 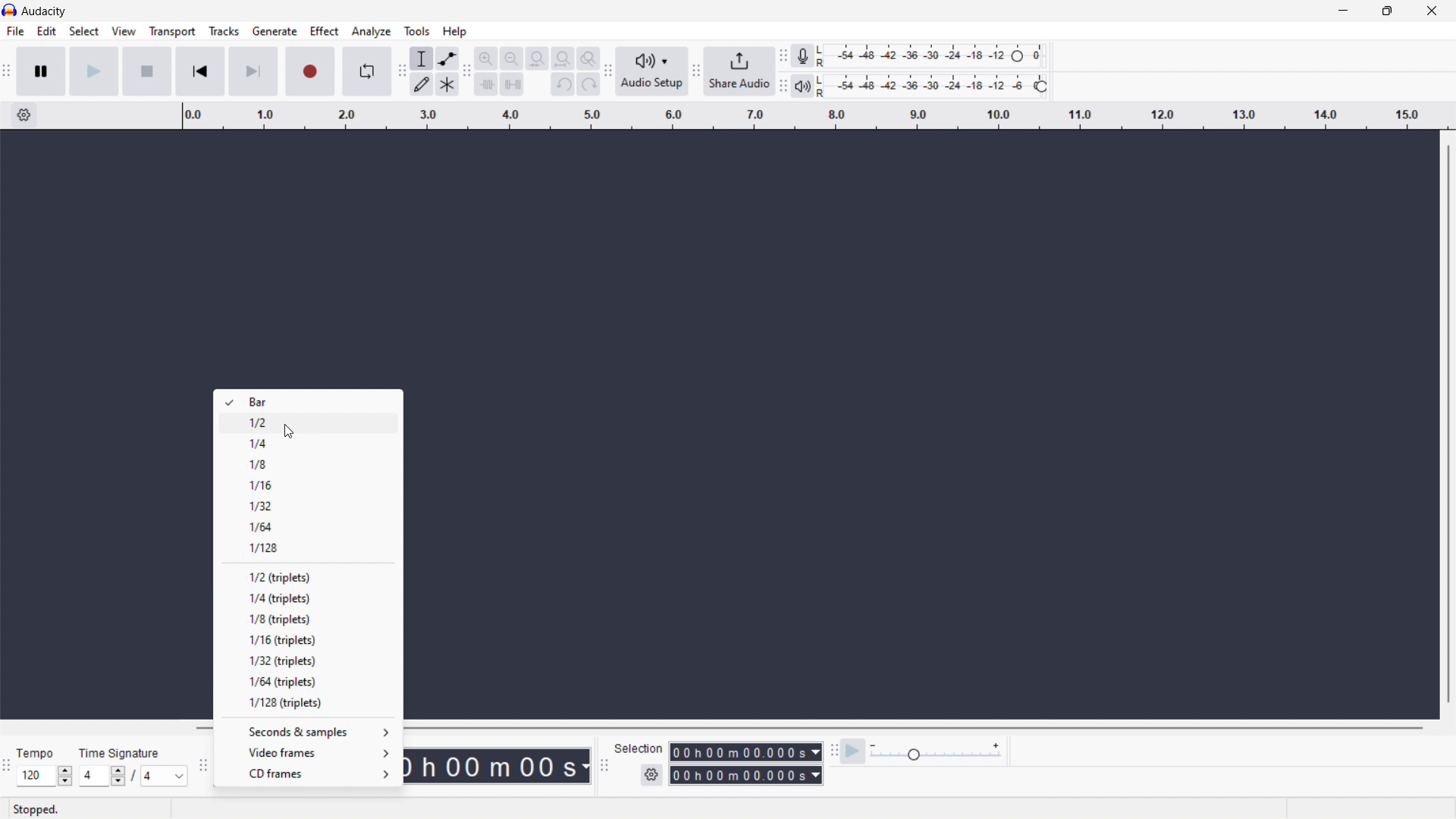 What do you see at coordinates (935, 752) in the screenshot?
I see `playback meter` at bounding box center [935, 752].